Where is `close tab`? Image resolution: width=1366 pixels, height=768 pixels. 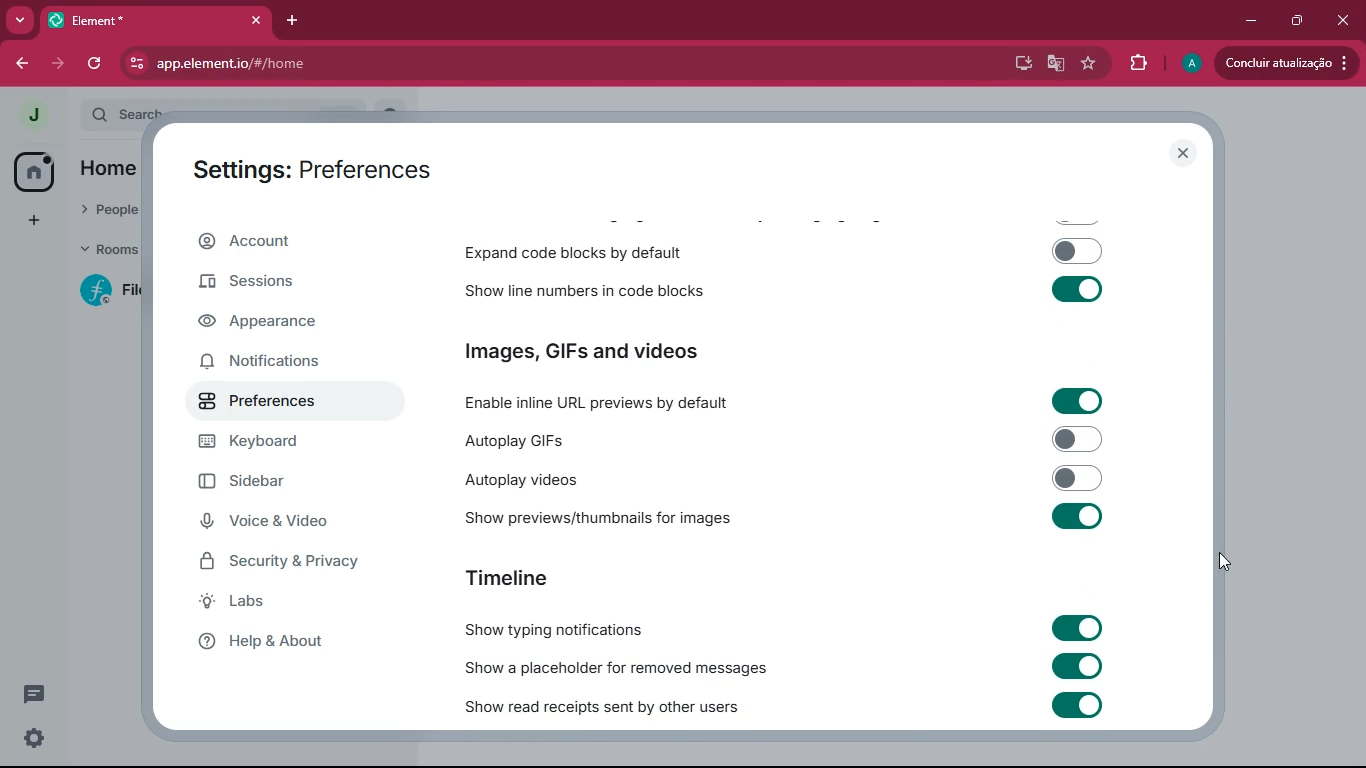
close tab is located at coordinates (256, 20).